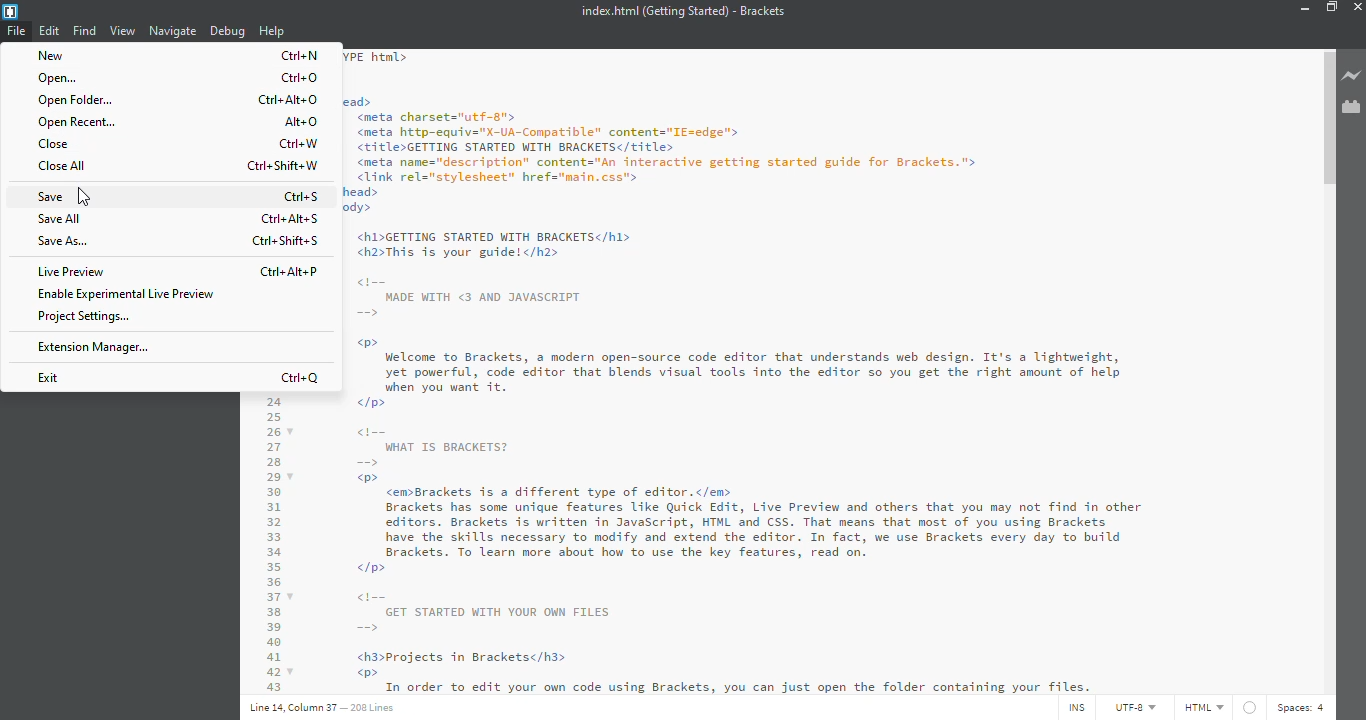  What do you see at coordinates (99, 349) in the screenshot?
I see `extension manager` at bounding box center [99, 349].